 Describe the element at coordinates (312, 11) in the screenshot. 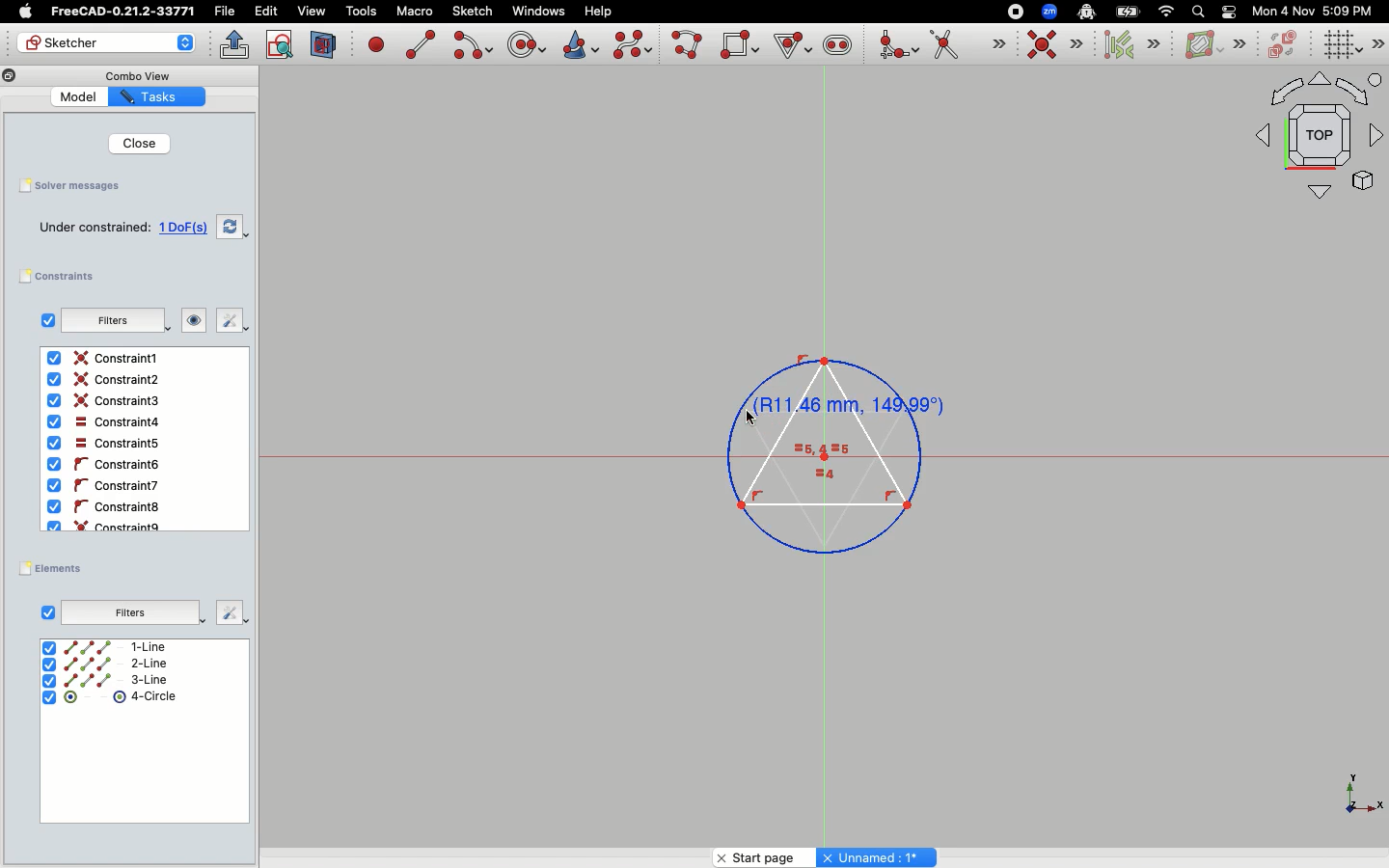

I see `view` at that location.